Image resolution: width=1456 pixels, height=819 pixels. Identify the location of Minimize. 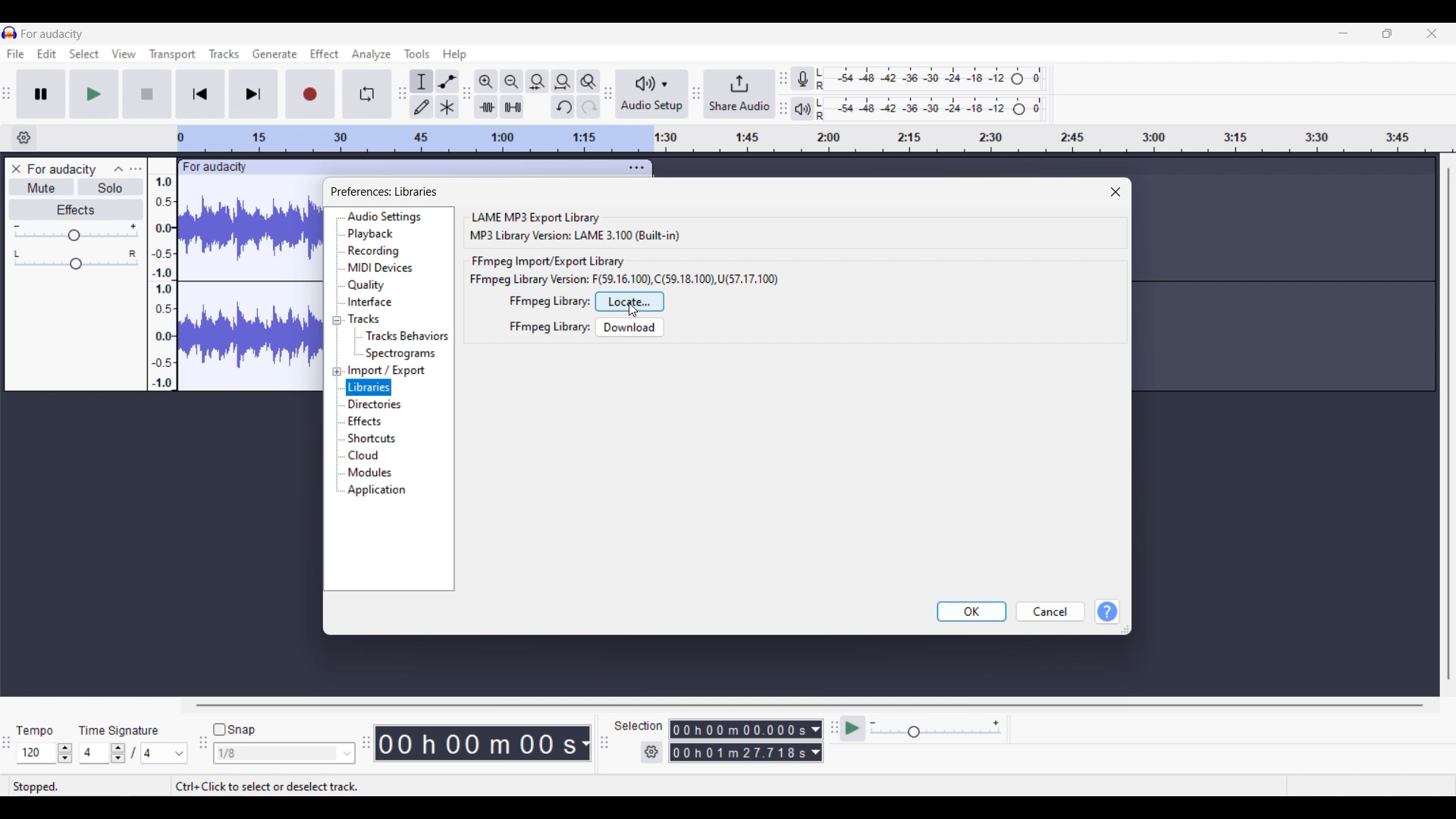
(1343, 33).